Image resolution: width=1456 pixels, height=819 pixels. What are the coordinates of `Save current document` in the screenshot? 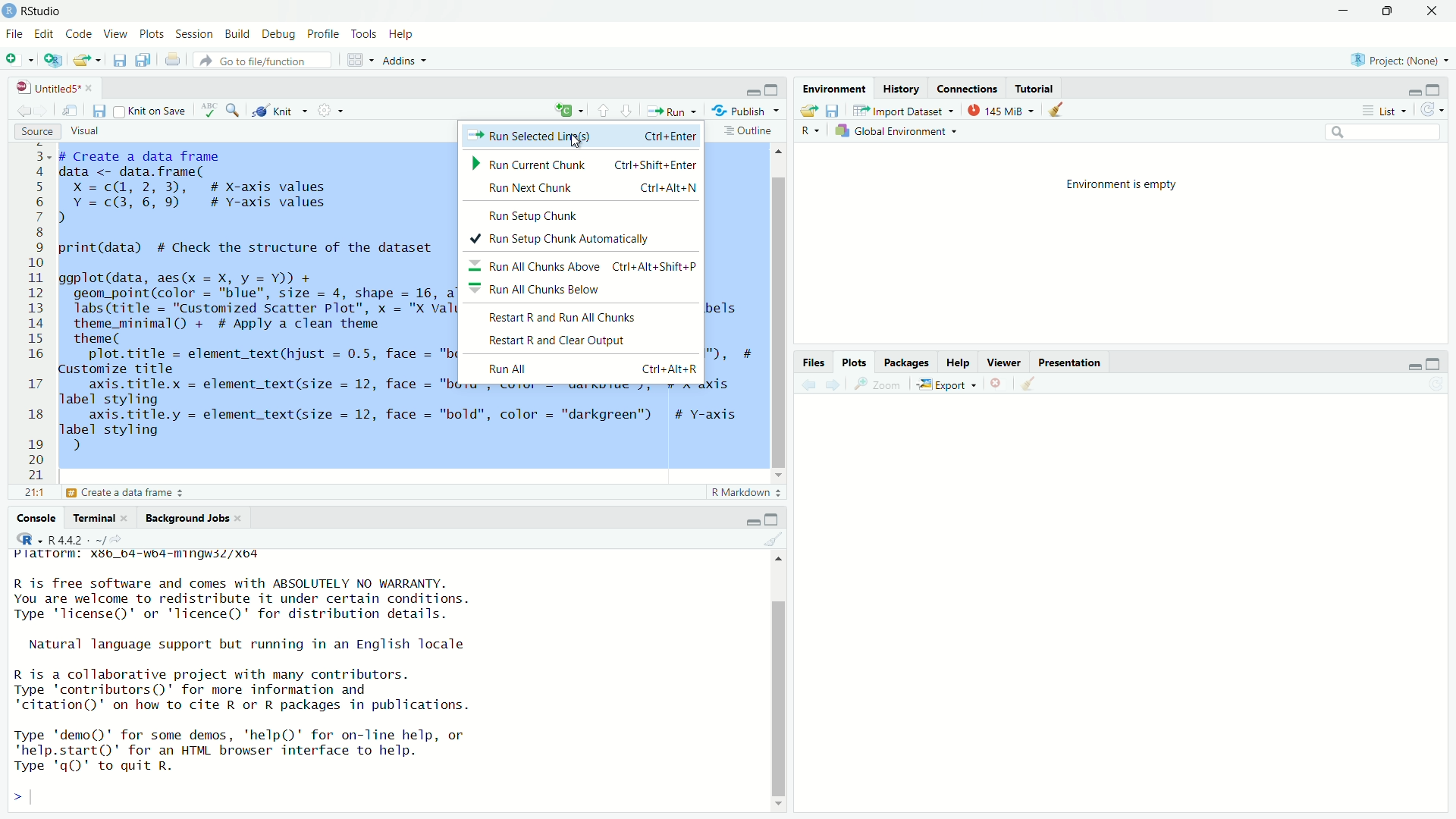 It's located at (120, 60).